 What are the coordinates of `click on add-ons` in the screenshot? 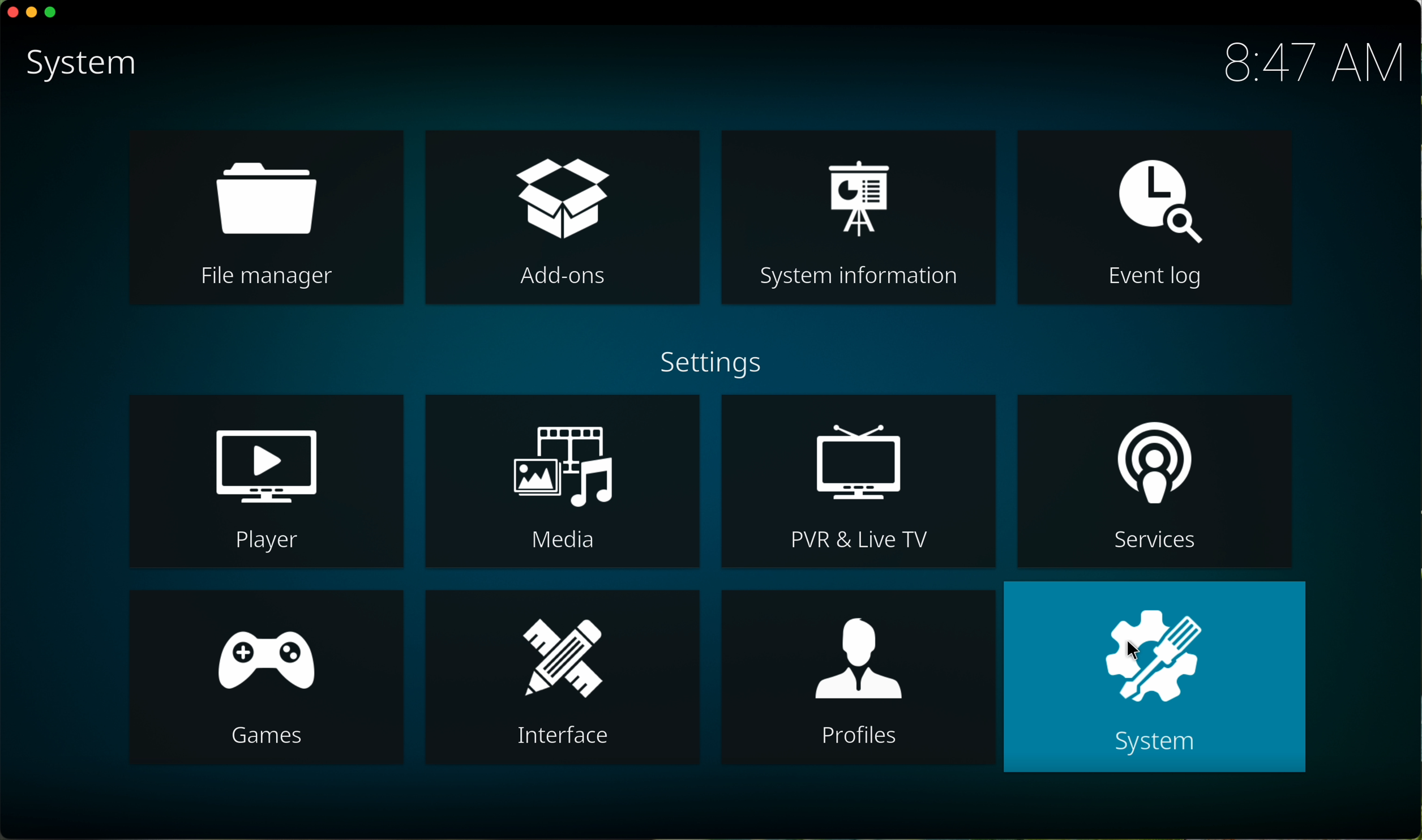 It's located at (559, 217).